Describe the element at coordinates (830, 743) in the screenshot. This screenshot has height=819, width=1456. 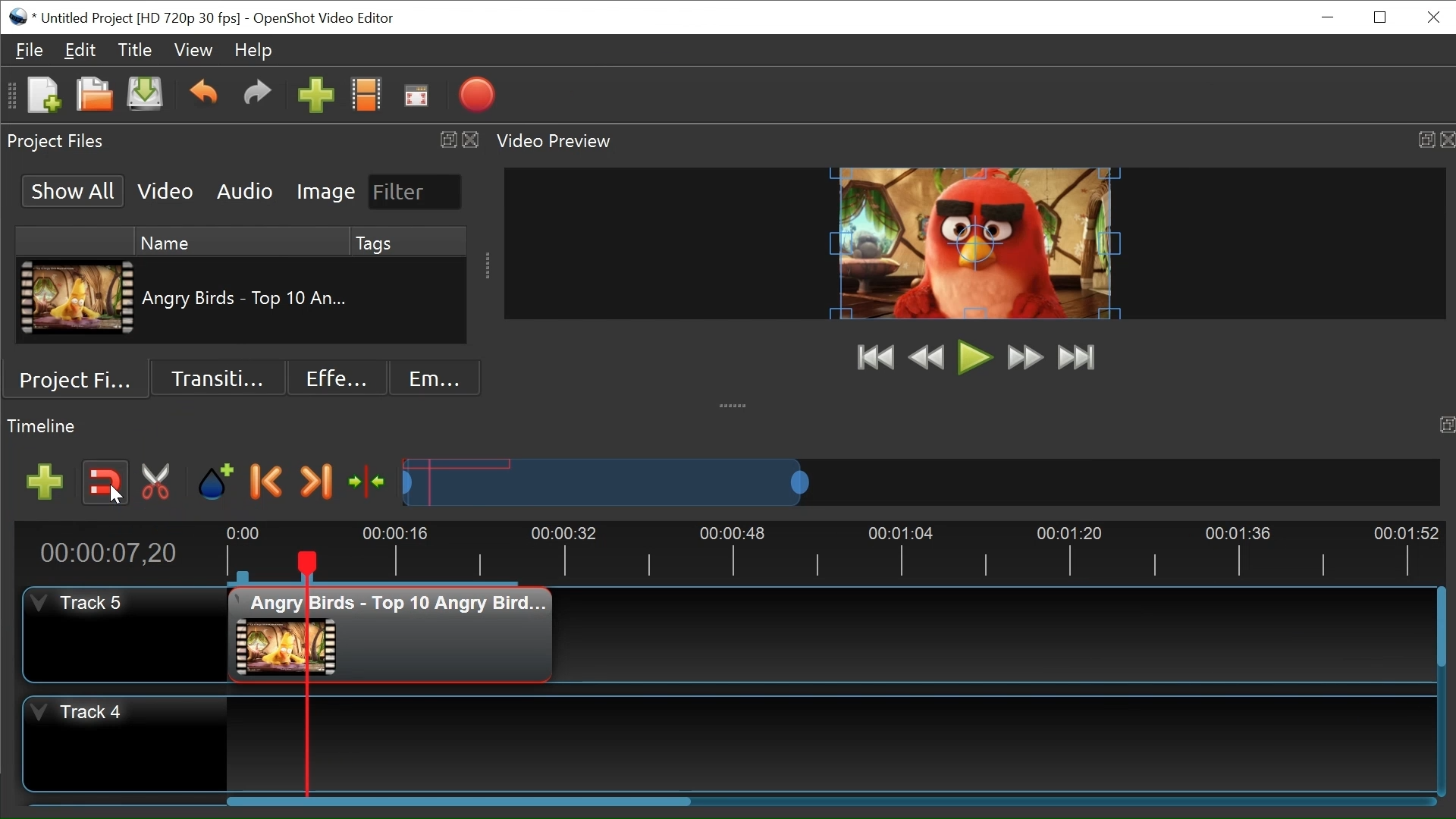
I see `Track Panel` at that location.